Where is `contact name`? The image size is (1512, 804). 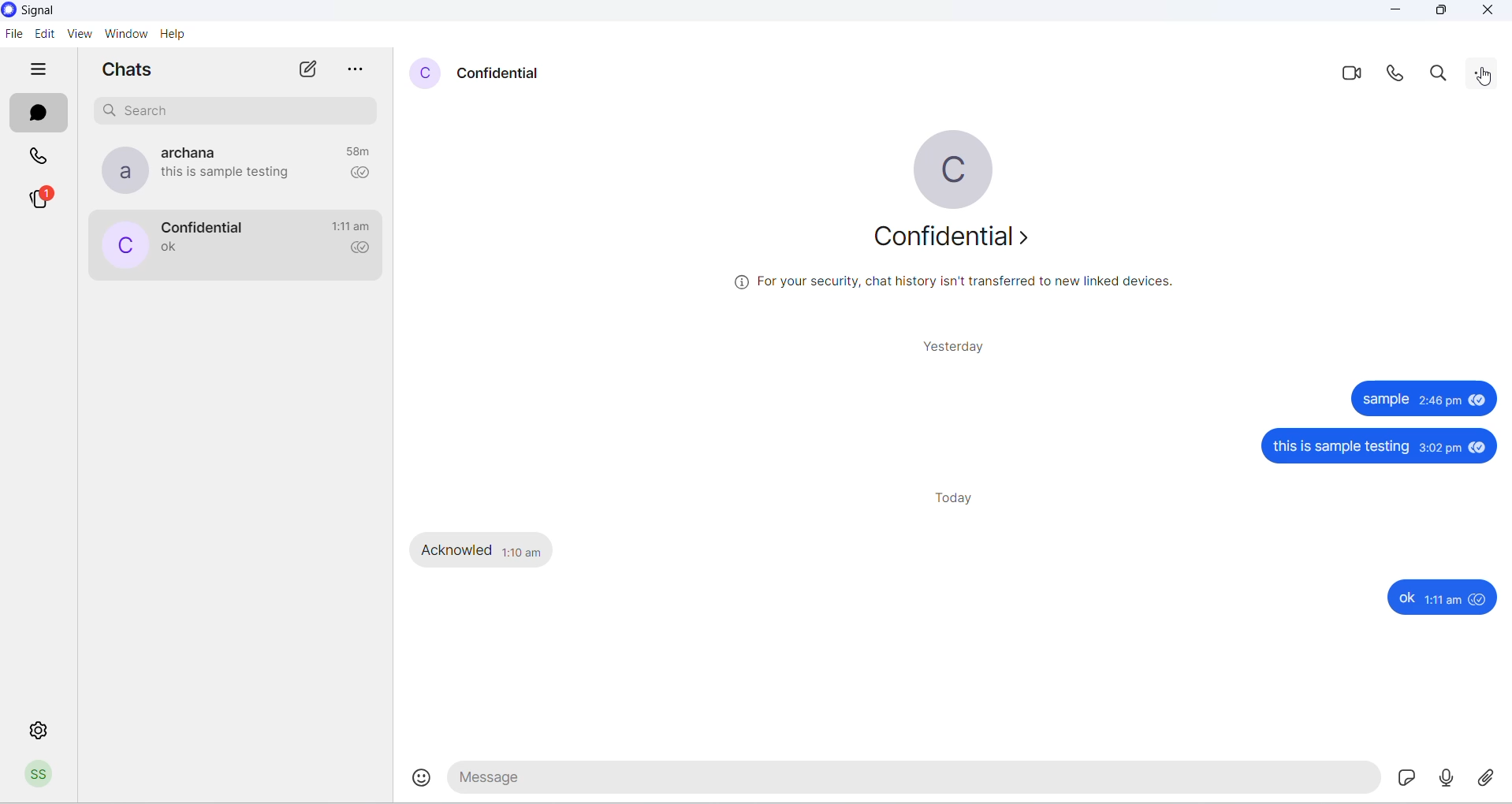
contact name is located at coordinates (187, 152).